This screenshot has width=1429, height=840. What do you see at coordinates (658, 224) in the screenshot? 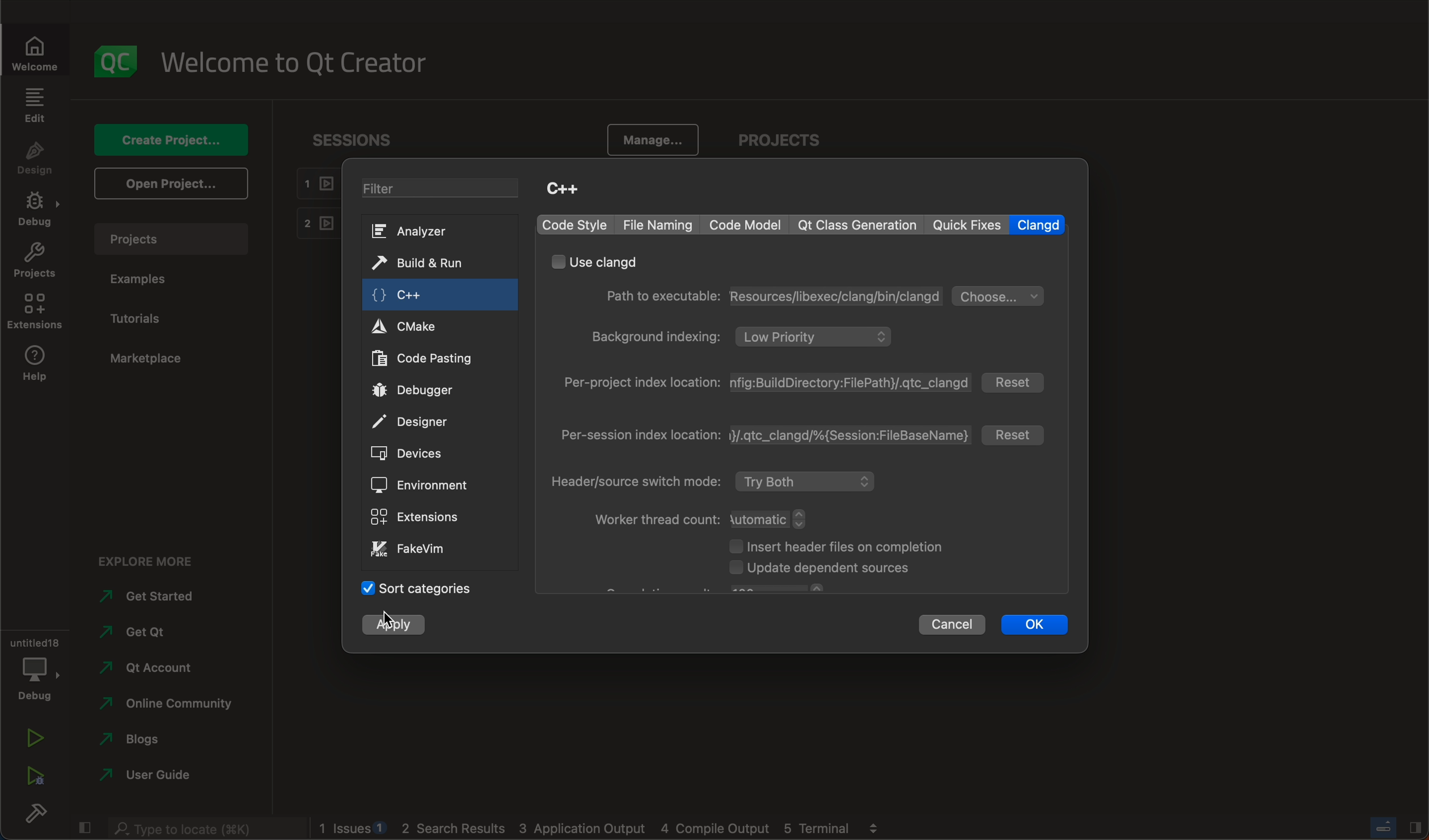
I see `naming` at bounding box center [658, 224].